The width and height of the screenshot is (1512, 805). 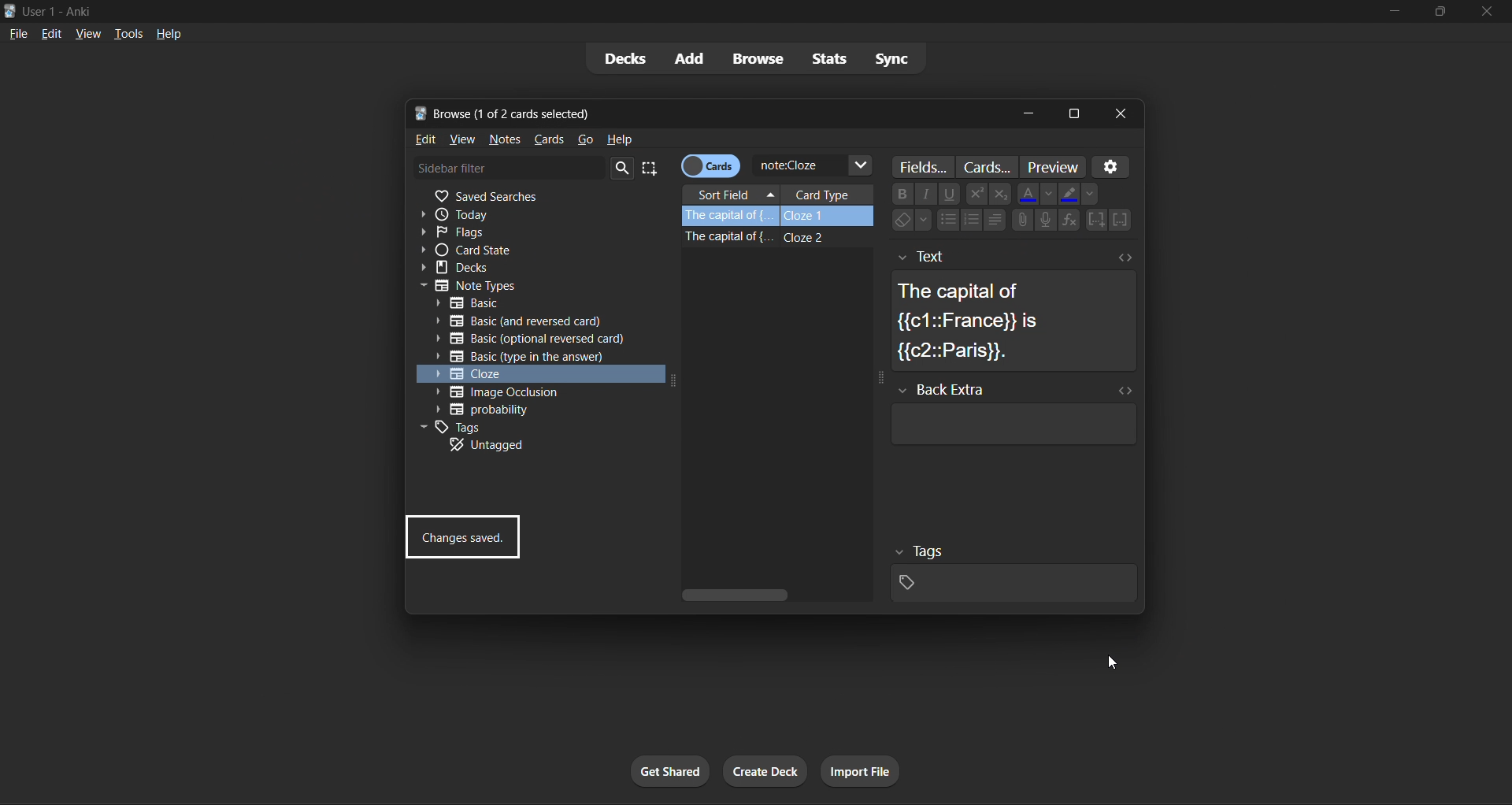 What do you see at coordinates (589, 141) in the screenshot?
I see `go` at bounding box center [589, 141].